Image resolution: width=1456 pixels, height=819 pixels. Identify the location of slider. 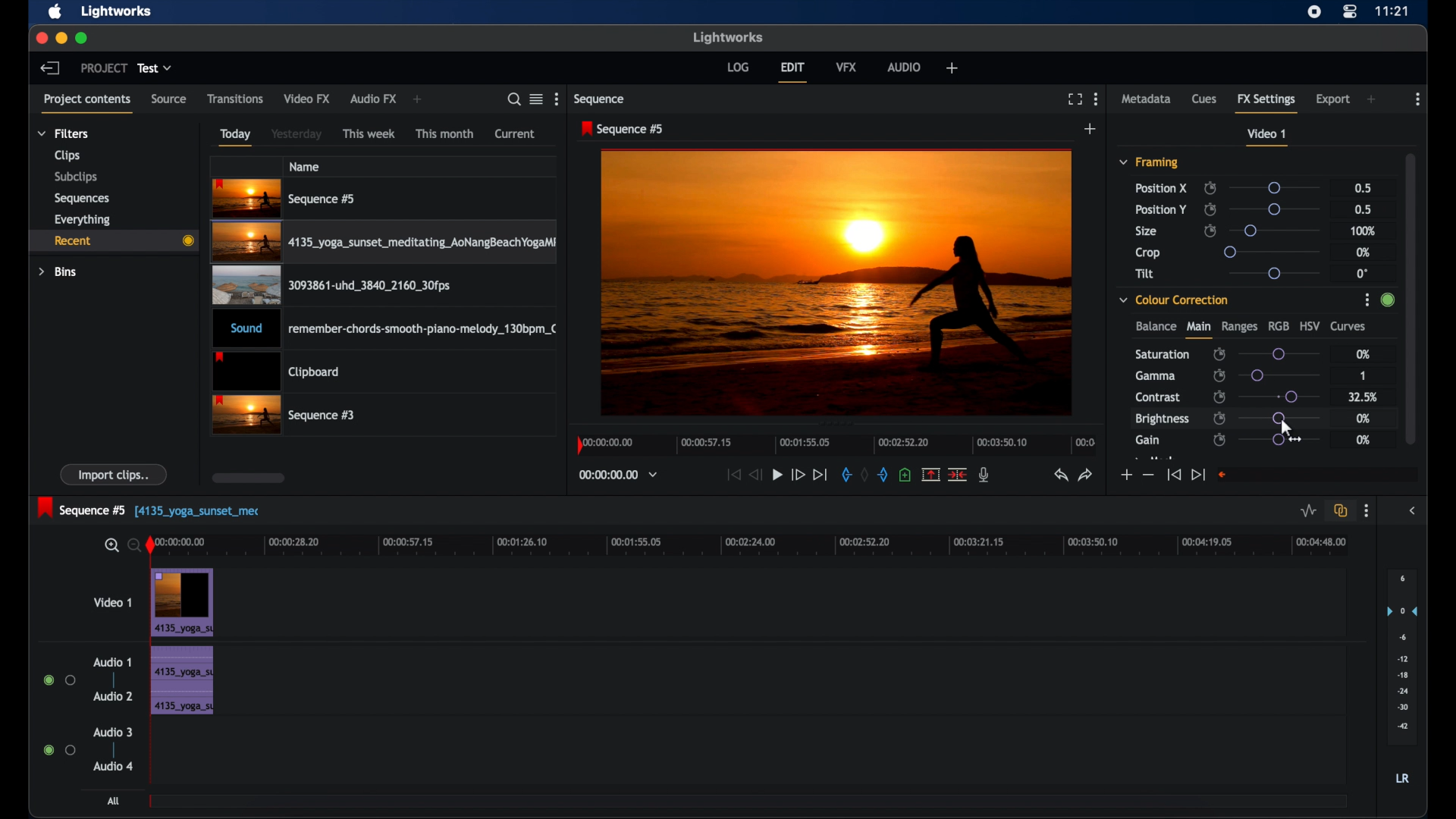
(1272, 273).